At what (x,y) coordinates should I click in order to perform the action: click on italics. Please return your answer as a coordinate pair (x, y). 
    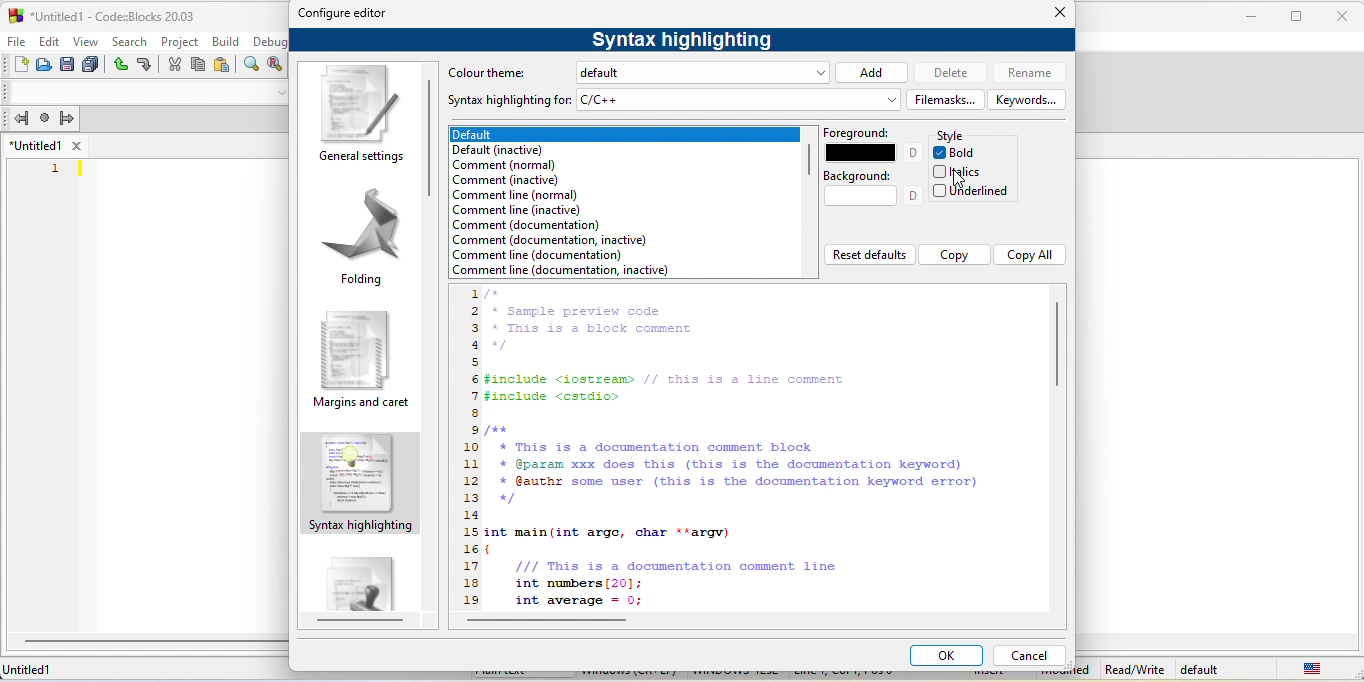
    Looking at the image, I should click on (961, 171).